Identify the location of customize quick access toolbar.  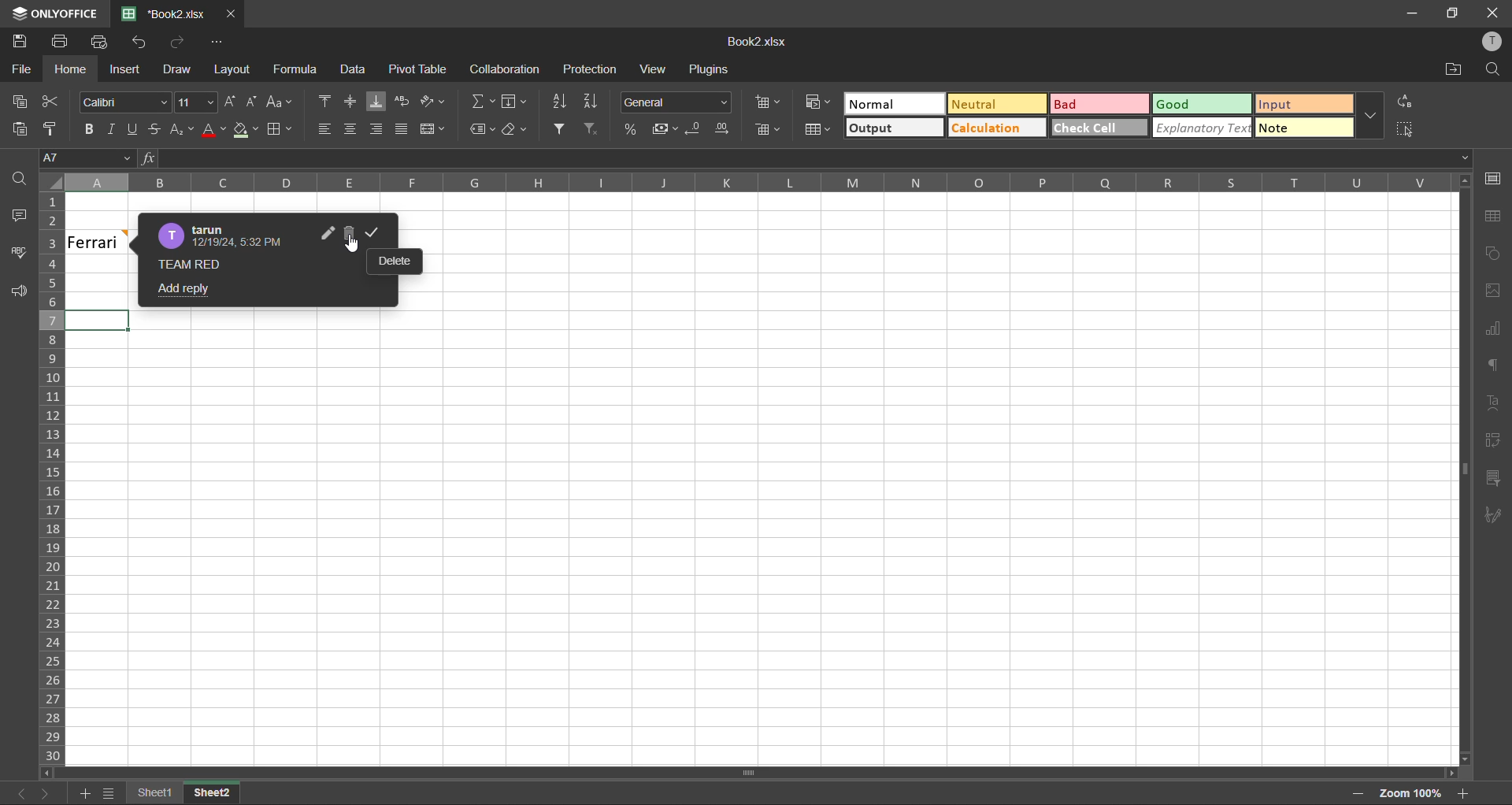
(218, 43).